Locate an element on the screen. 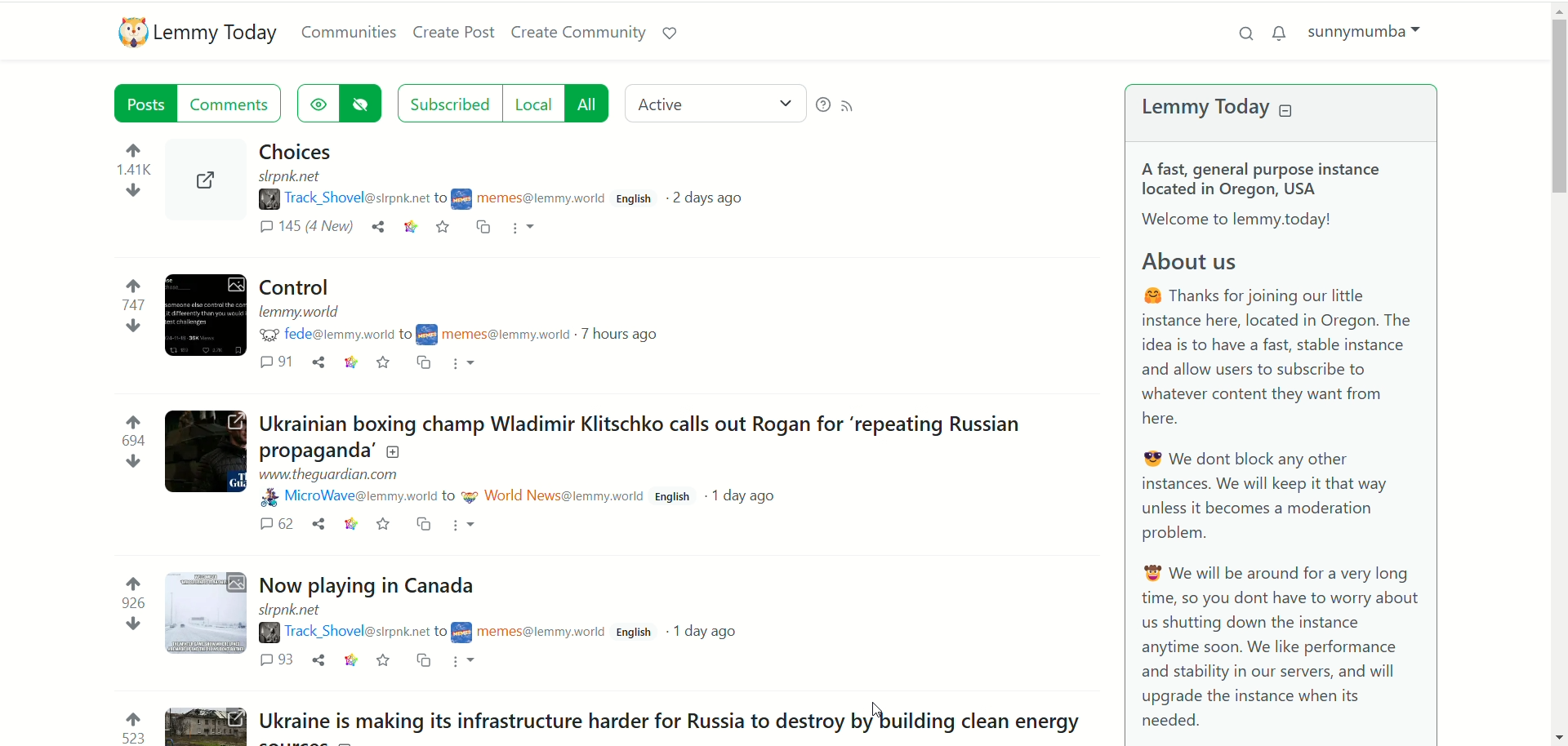 The height and width of the screenshot is (746, 1568). Post on "Control" is located at coordinates (301, 286).